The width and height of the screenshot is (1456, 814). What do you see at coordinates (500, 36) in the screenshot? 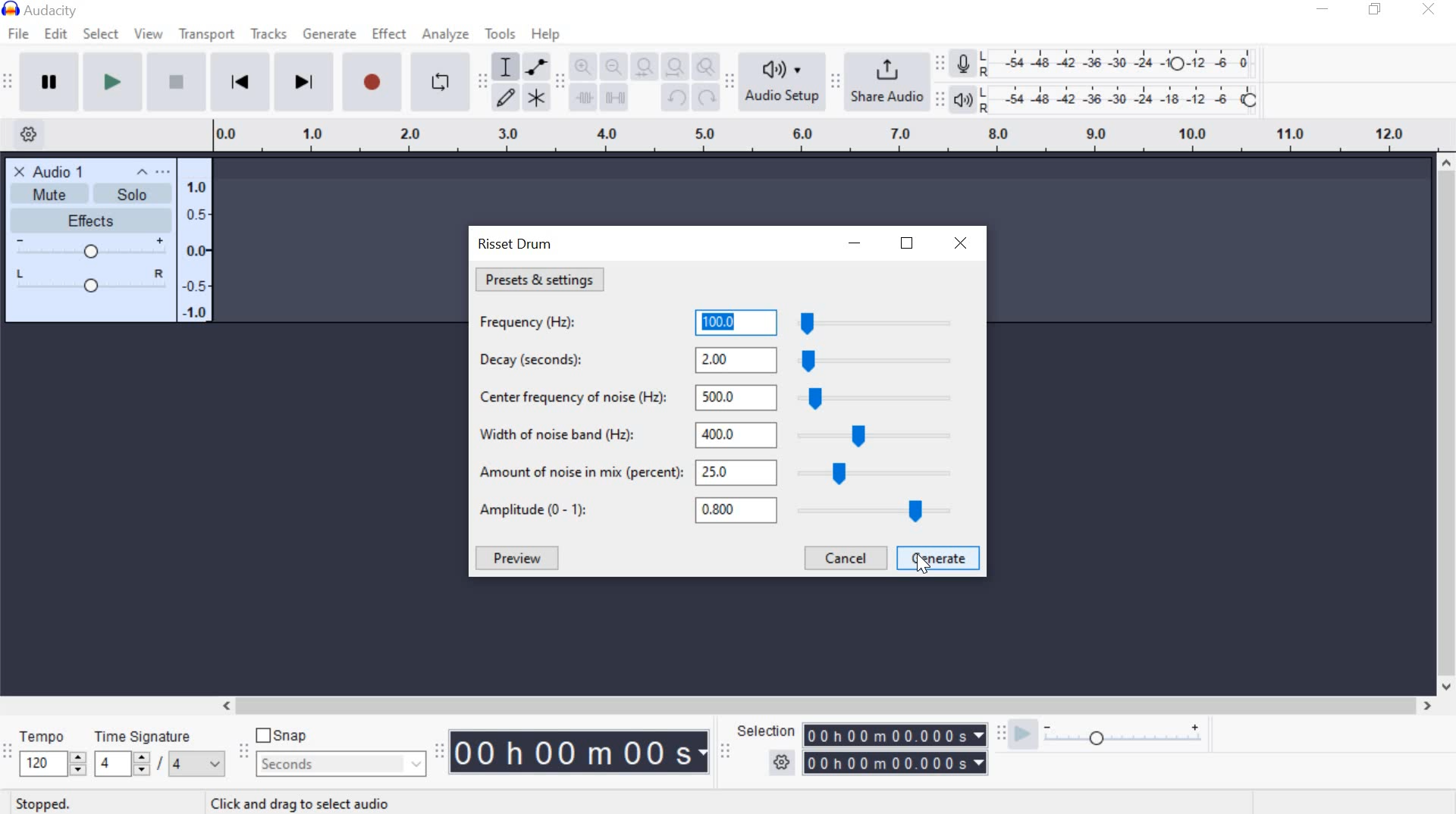
I see `tools` at bounding box center [500, 36].